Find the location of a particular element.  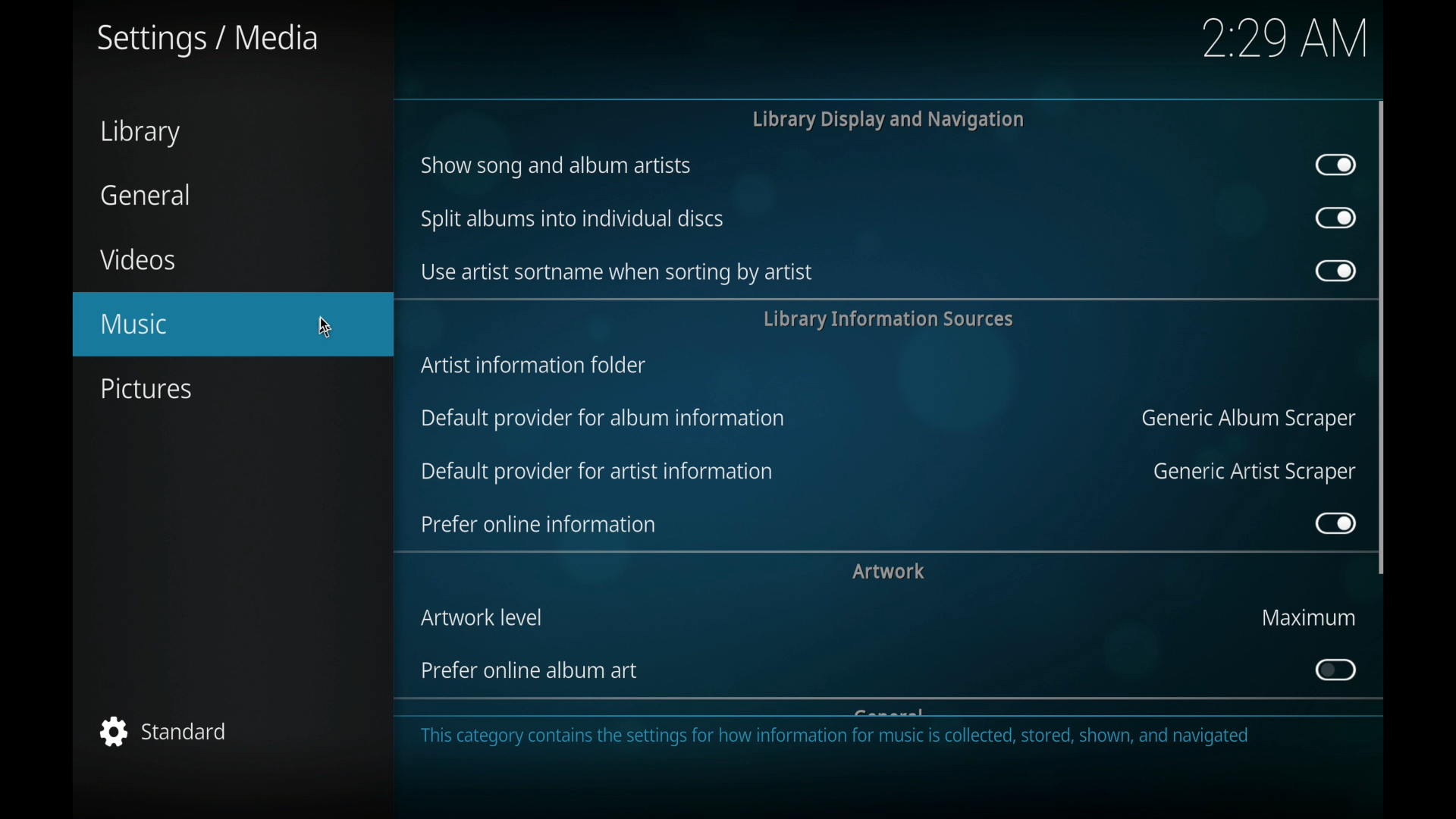

default provider for artist information is located at coordinates (597, 471).